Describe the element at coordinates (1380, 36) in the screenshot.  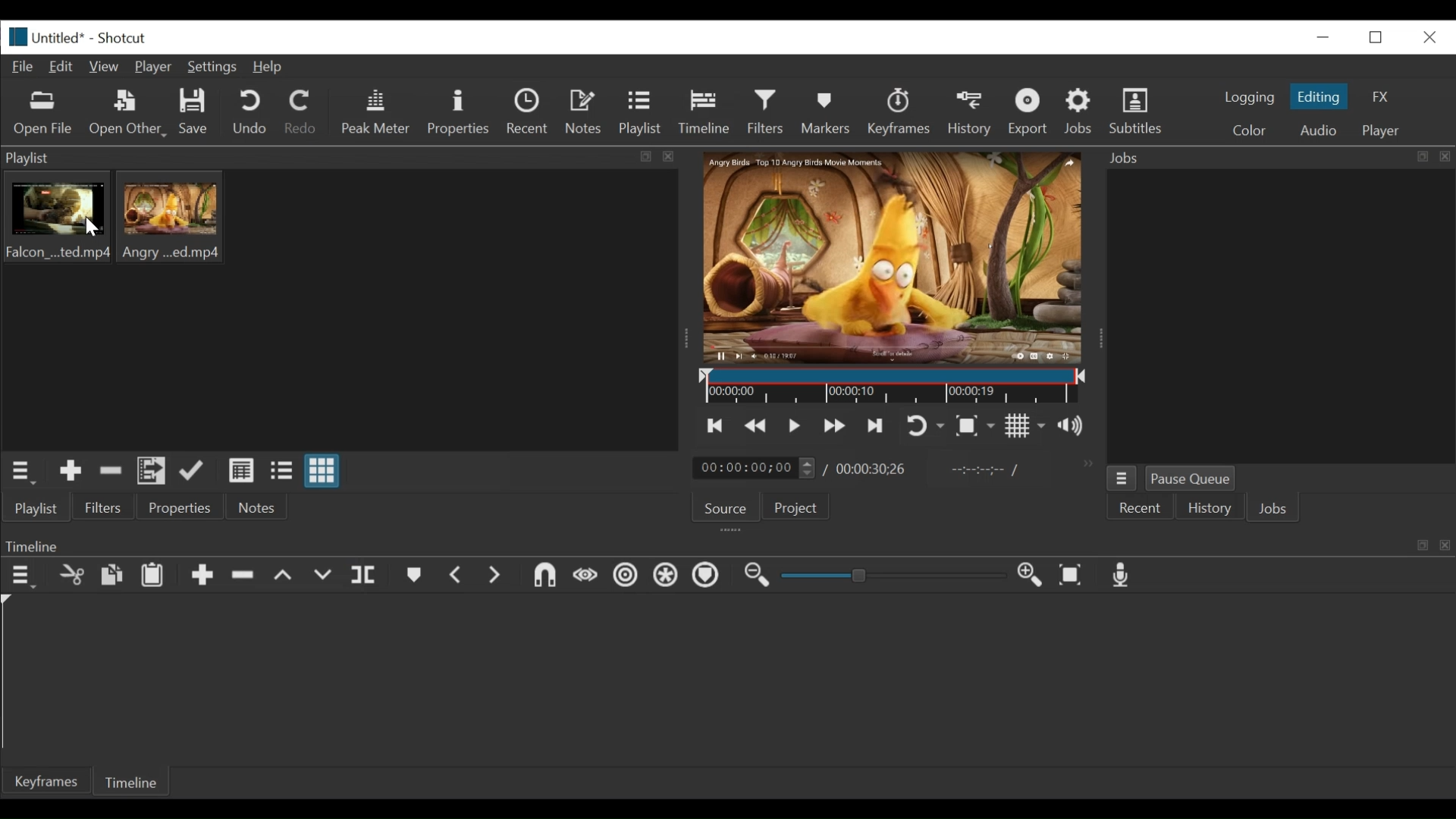
I see `restore` at that location.